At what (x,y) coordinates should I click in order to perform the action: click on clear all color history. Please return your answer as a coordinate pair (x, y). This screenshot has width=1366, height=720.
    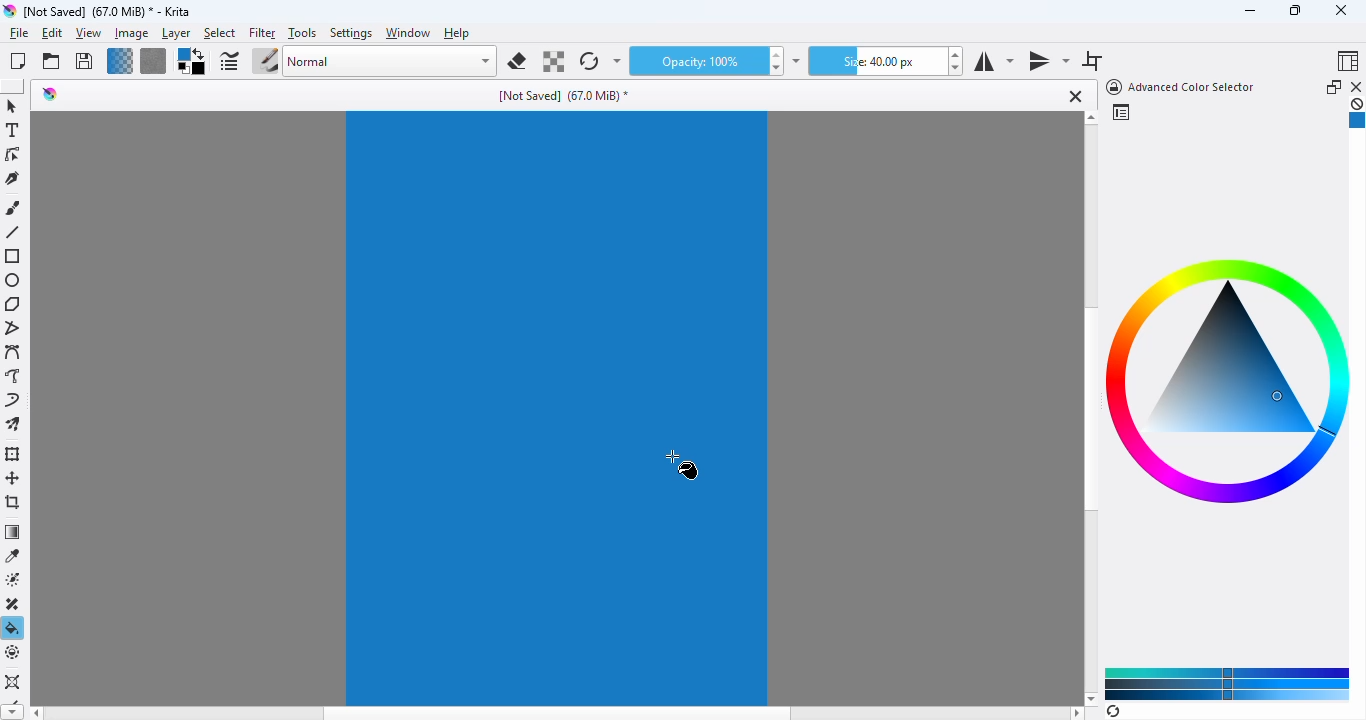
    Looking at the image, I should click on (1357, 103).